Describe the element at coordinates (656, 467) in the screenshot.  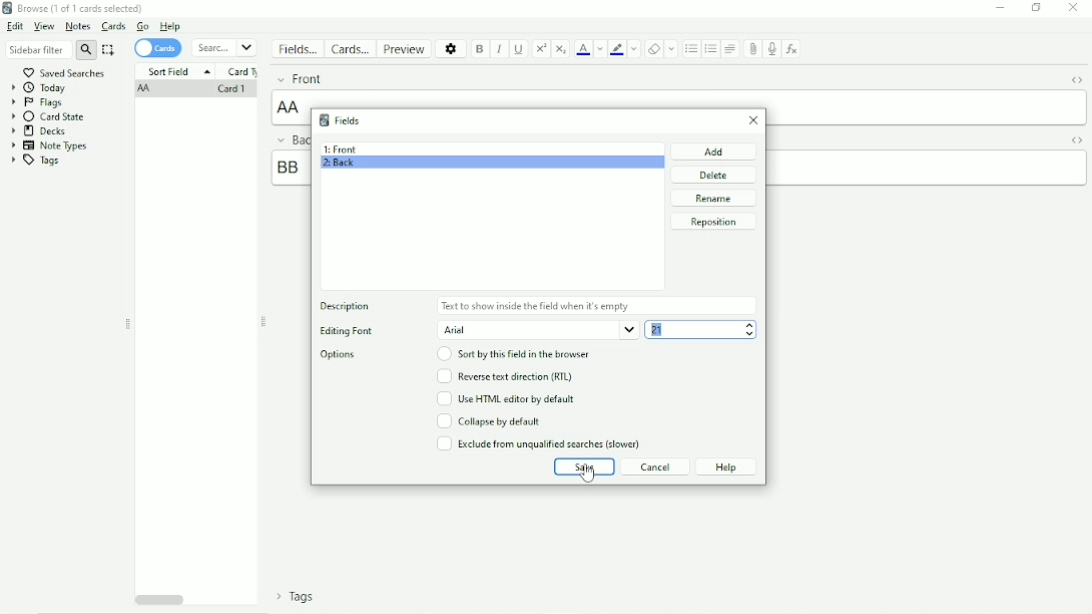
I see `Cancel` at that location.